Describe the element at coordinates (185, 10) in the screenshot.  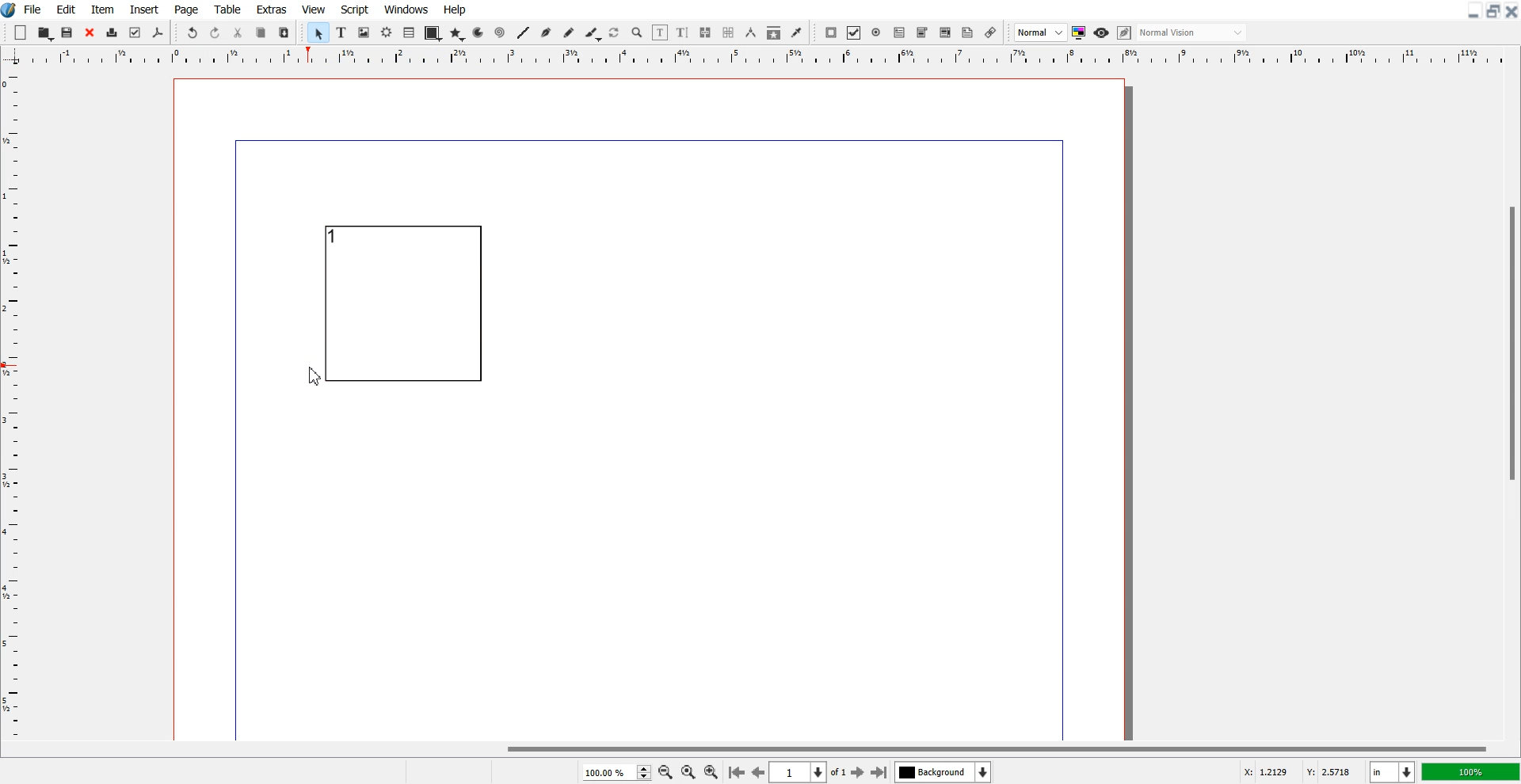
I see `Page` at that location.